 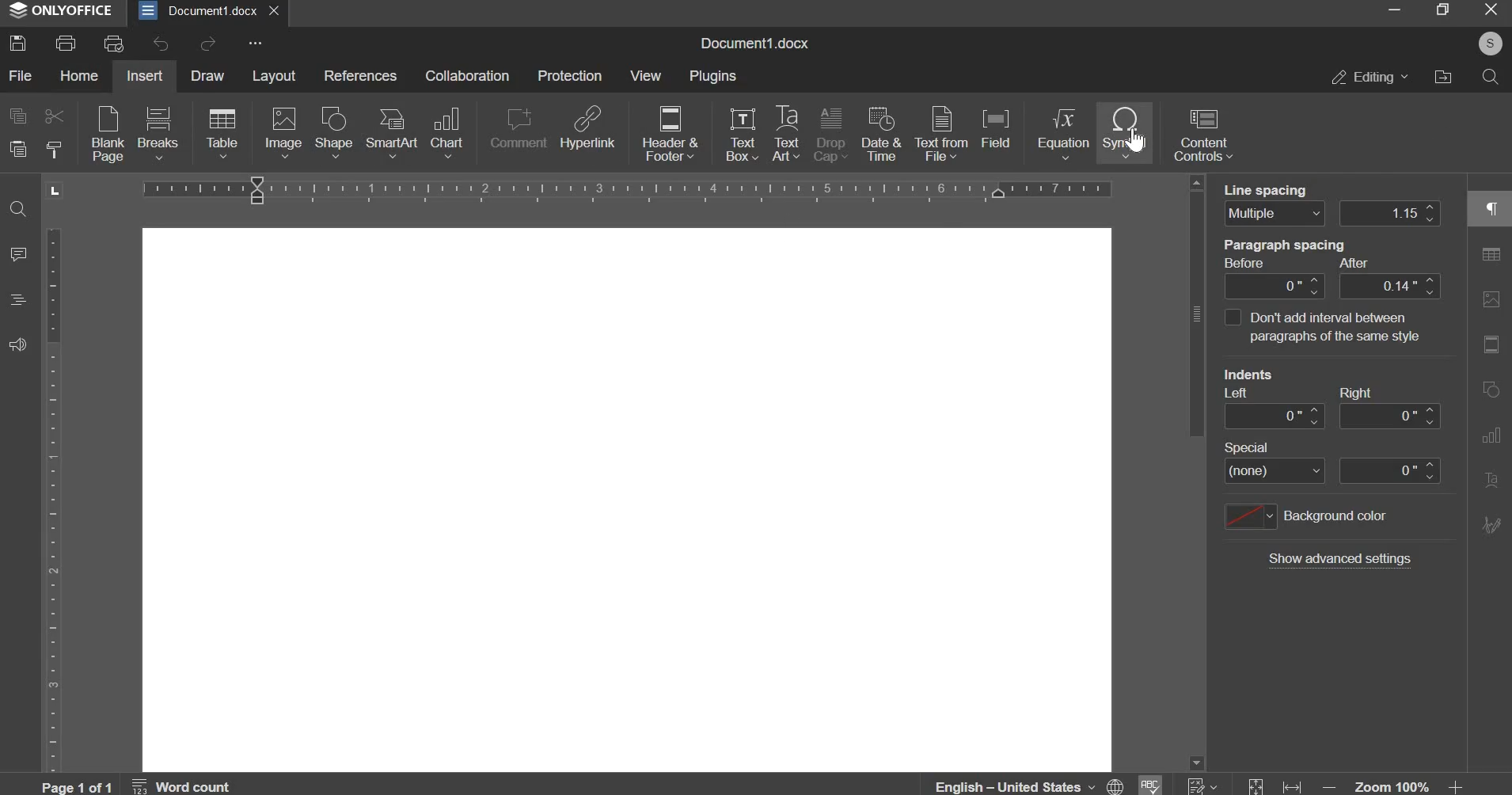 What do you see at coordinates (742, 134) in the screenshot?
I see `text box` at bounding box center [742, 134].